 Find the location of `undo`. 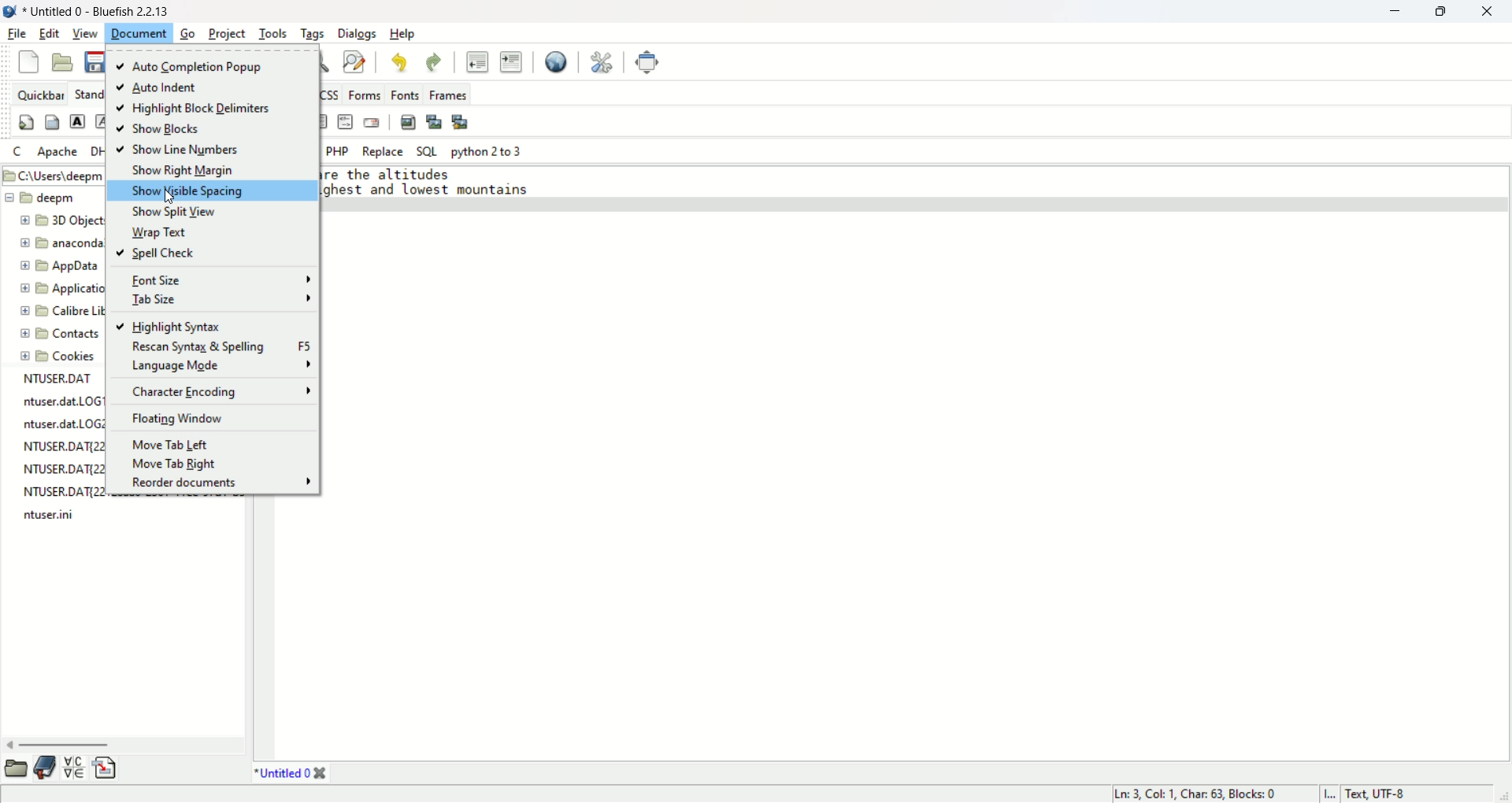

undo is located at coordinates (399, 61).